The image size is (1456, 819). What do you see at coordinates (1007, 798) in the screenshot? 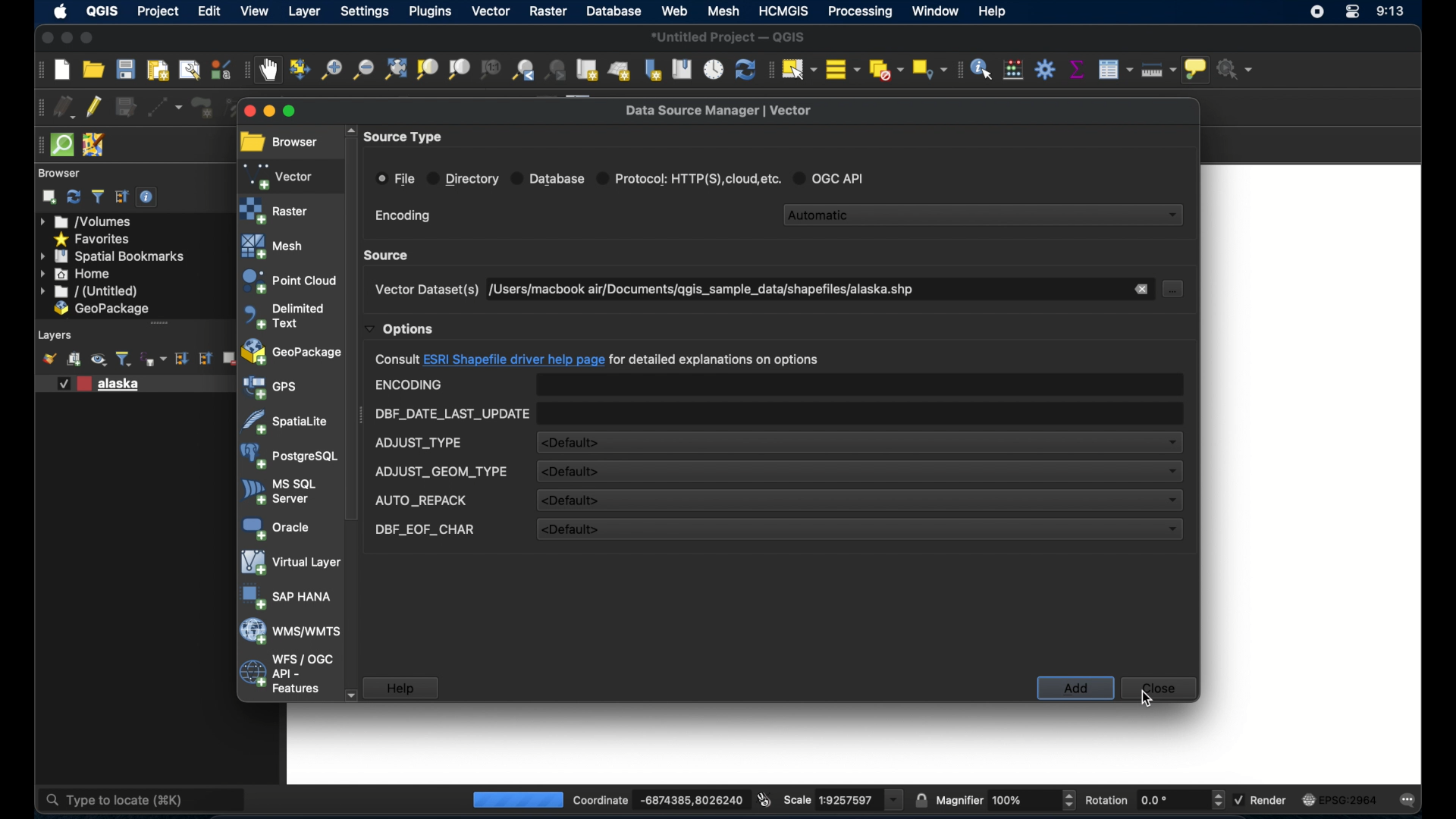
I see `magnifier` at bounding box center [1007, 798].